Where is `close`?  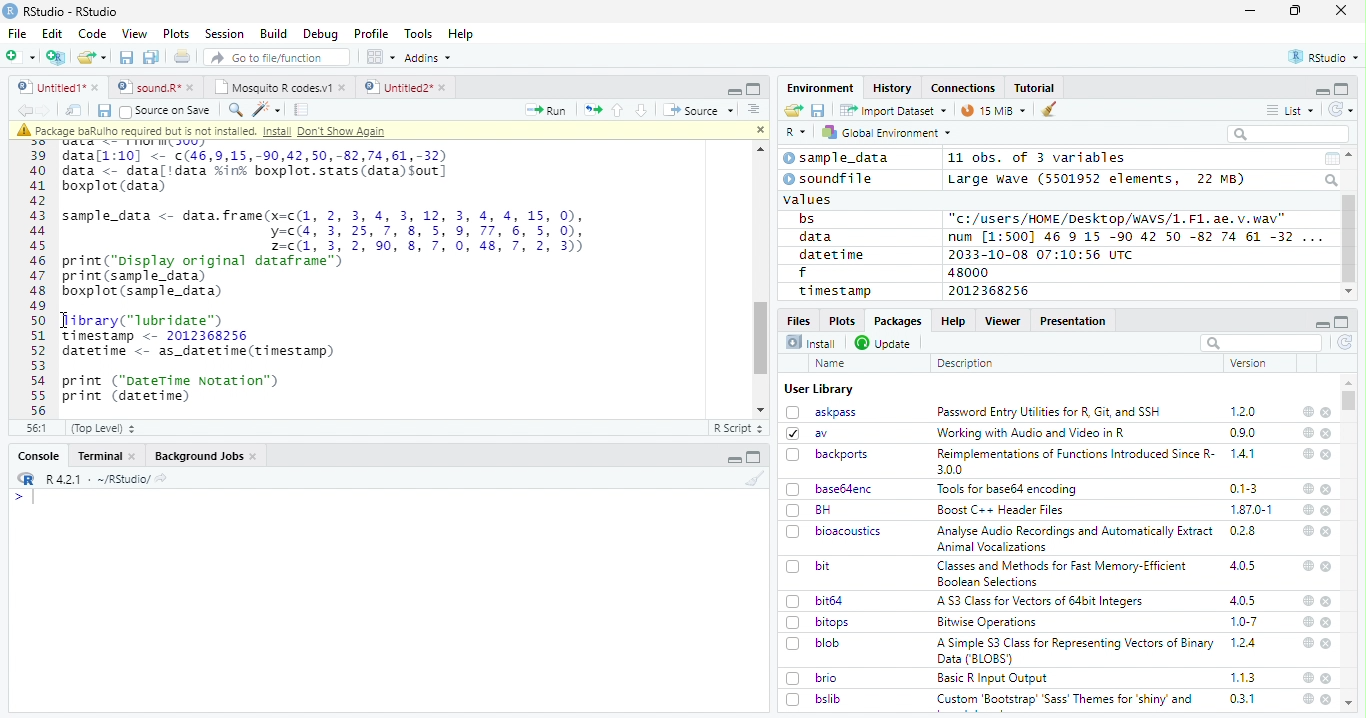 close is located at coordinates (1327, 434).